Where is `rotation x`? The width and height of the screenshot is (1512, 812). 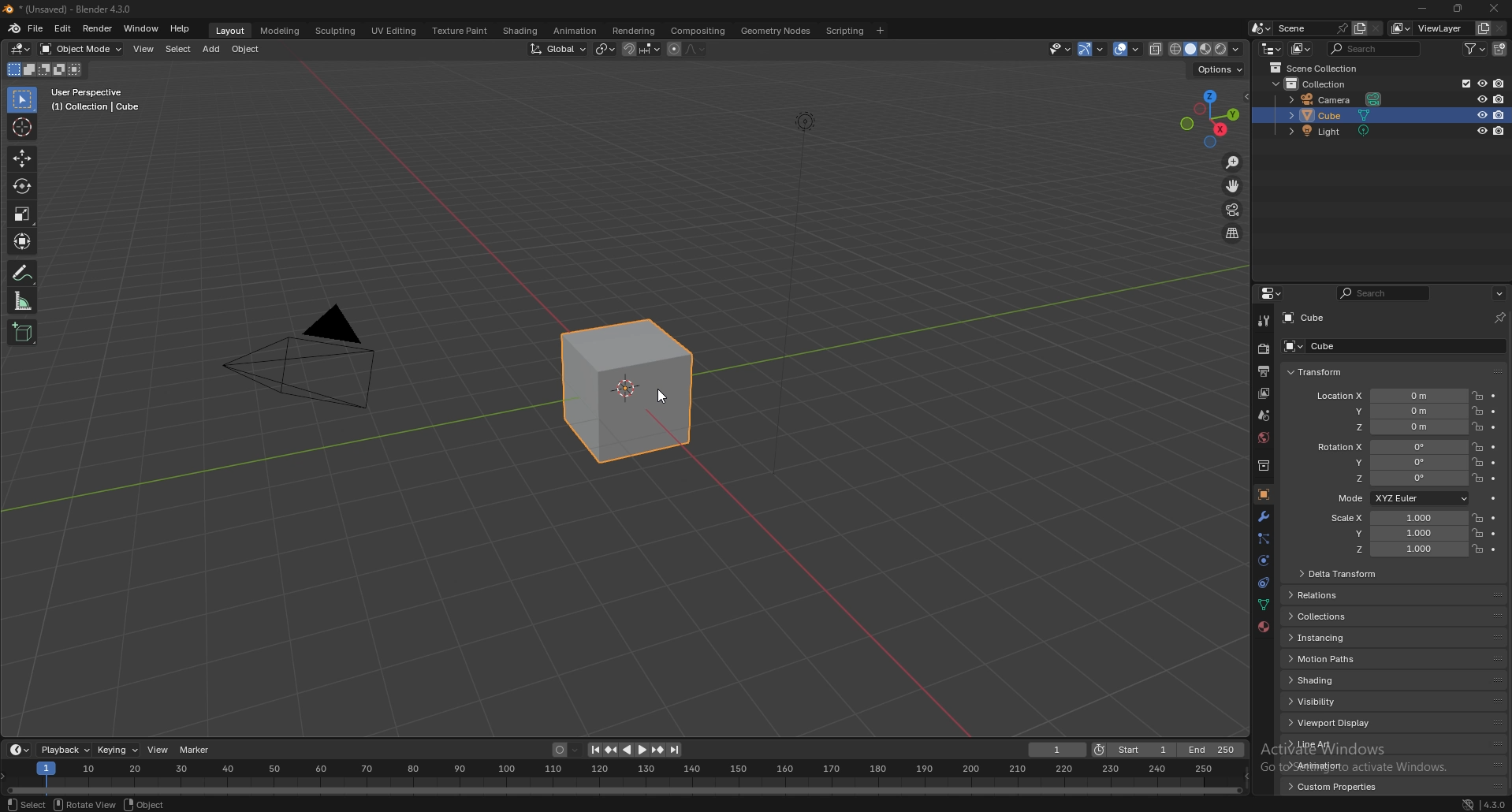 rotation x is located at coordinates (1387, 449).